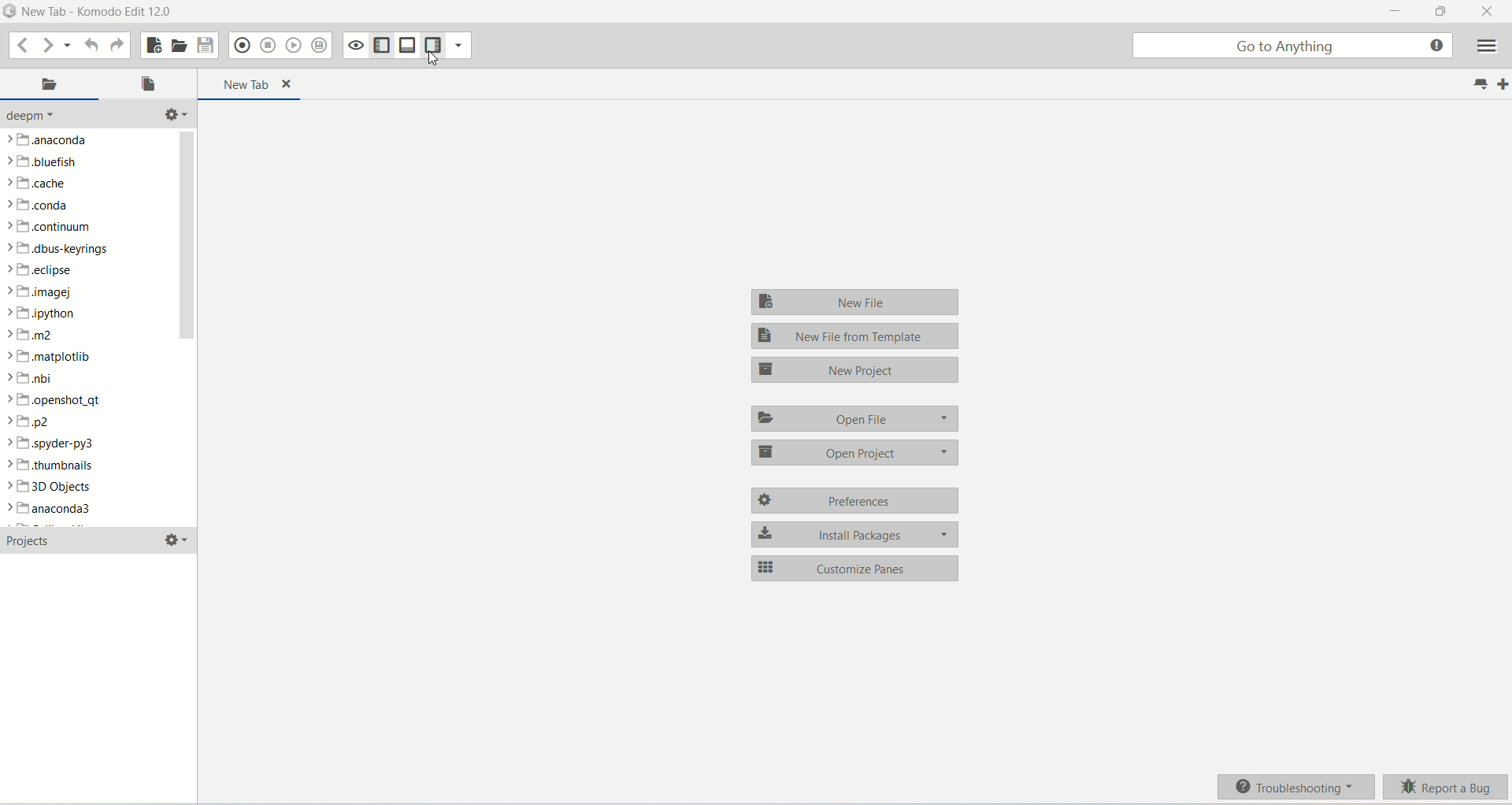 This screenshot has height=805, width=1512. What do you see at coordinates (44, 313) in the screenshot?
I see `ipython` at bounding box center [44, 313].